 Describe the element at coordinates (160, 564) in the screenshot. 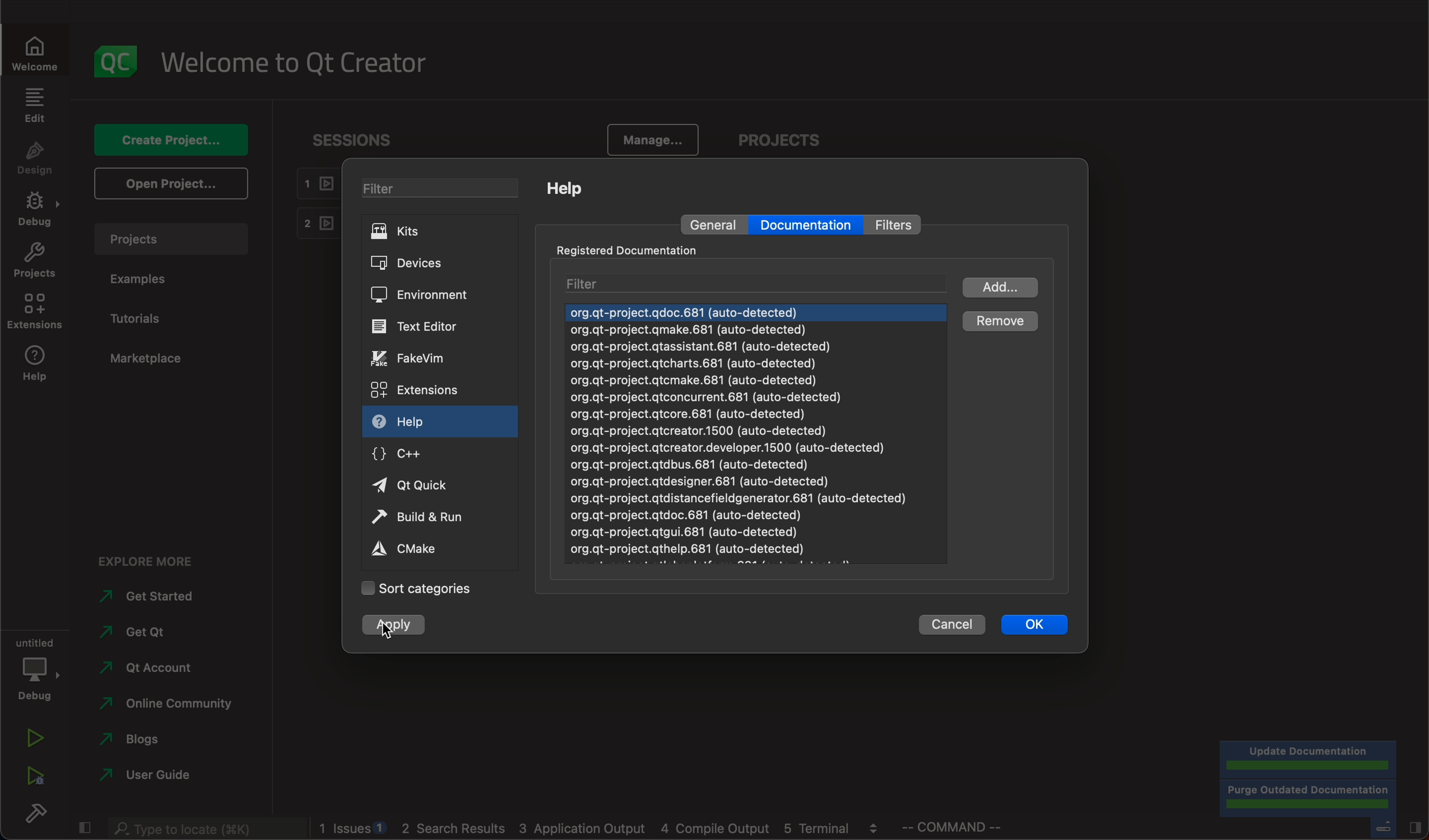

I see `explore` at that location.